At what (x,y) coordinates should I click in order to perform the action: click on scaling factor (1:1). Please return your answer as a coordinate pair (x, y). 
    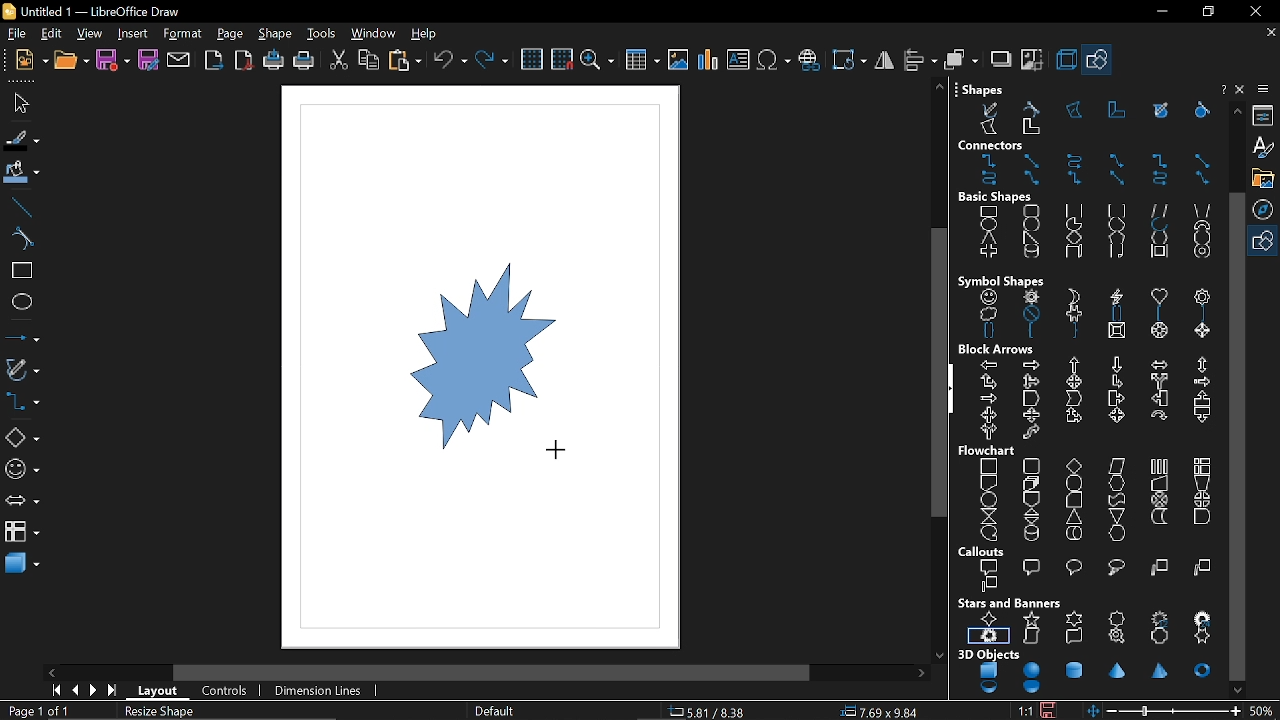
    Looking at the image, I should click on (1026, 710).